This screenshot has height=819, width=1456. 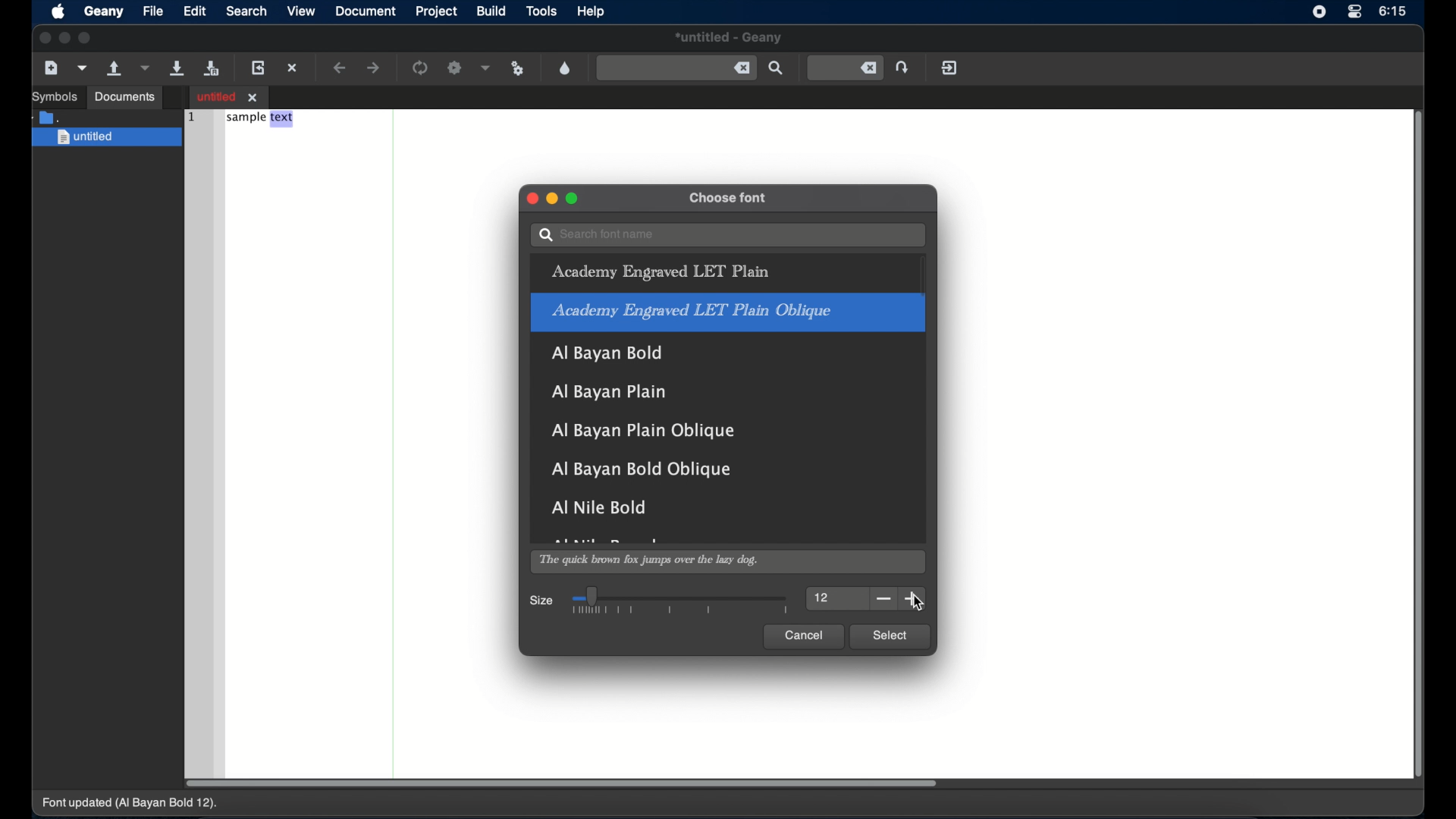 I want to click on font updated (AI Bayan Bold 12)., so click(x=131, y=804).